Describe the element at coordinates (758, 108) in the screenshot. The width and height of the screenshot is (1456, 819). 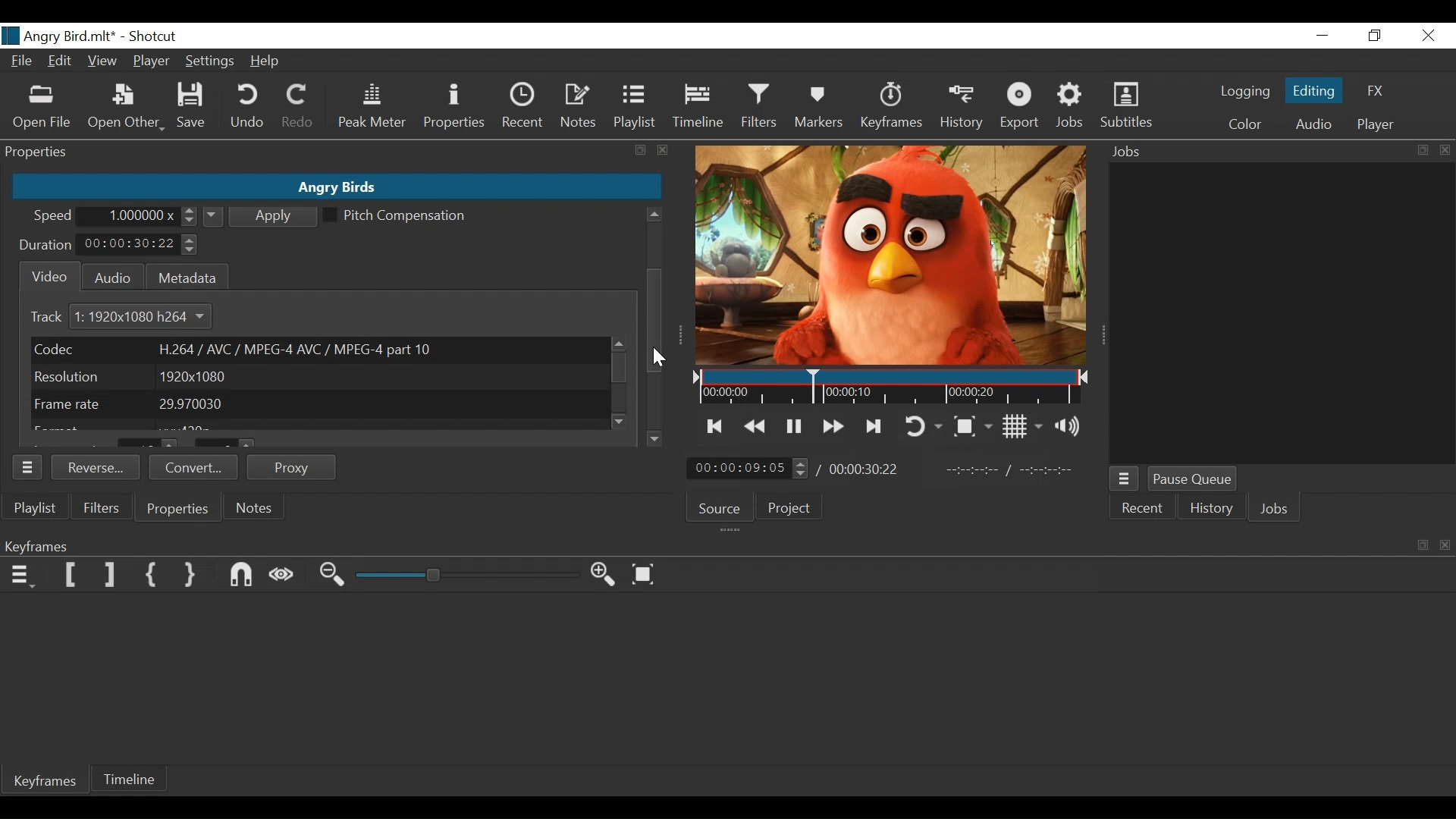
I see `Filters` at that location.